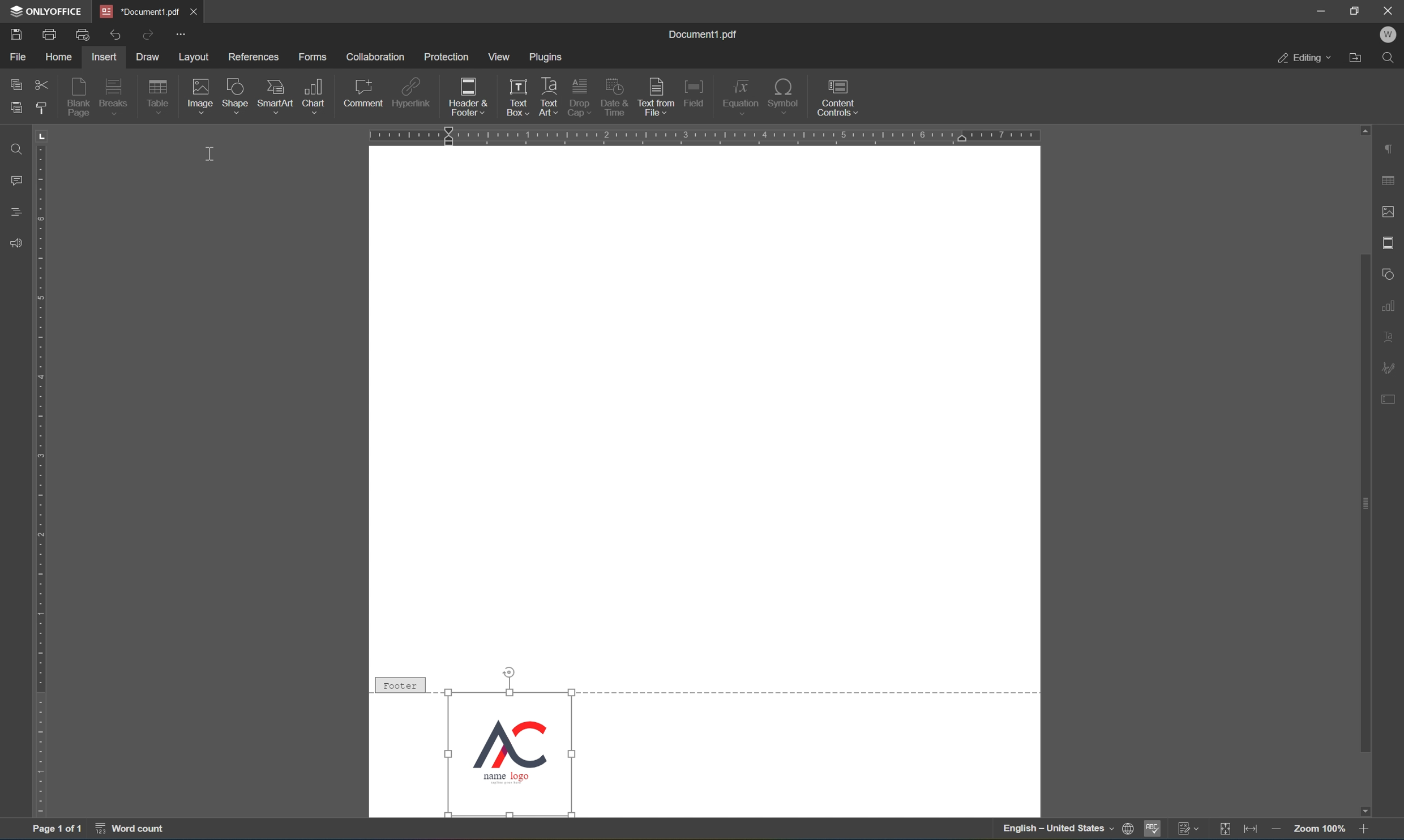 The image size is (1404, 840). Describe the element at coordinates (1391, 59) in the screenshot. I see `find` at that location.